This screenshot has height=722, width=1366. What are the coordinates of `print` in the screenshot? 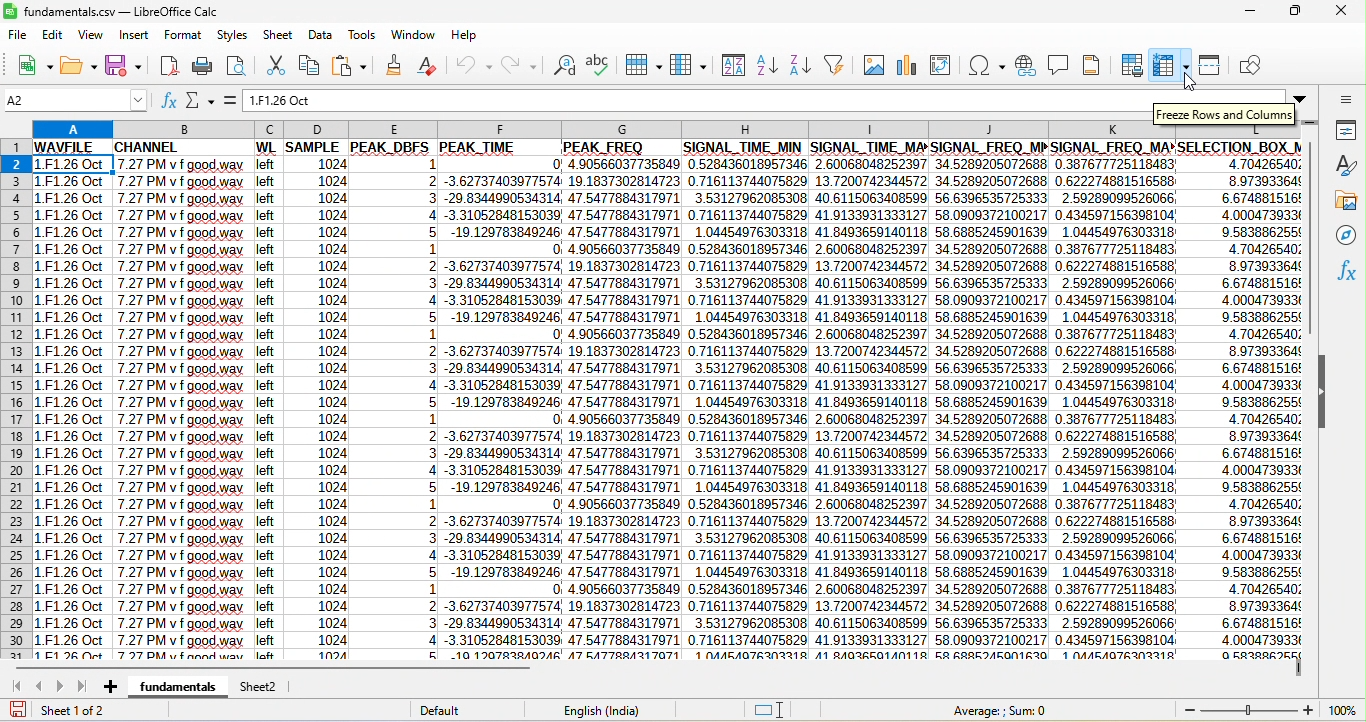 It's located at (205, 66).